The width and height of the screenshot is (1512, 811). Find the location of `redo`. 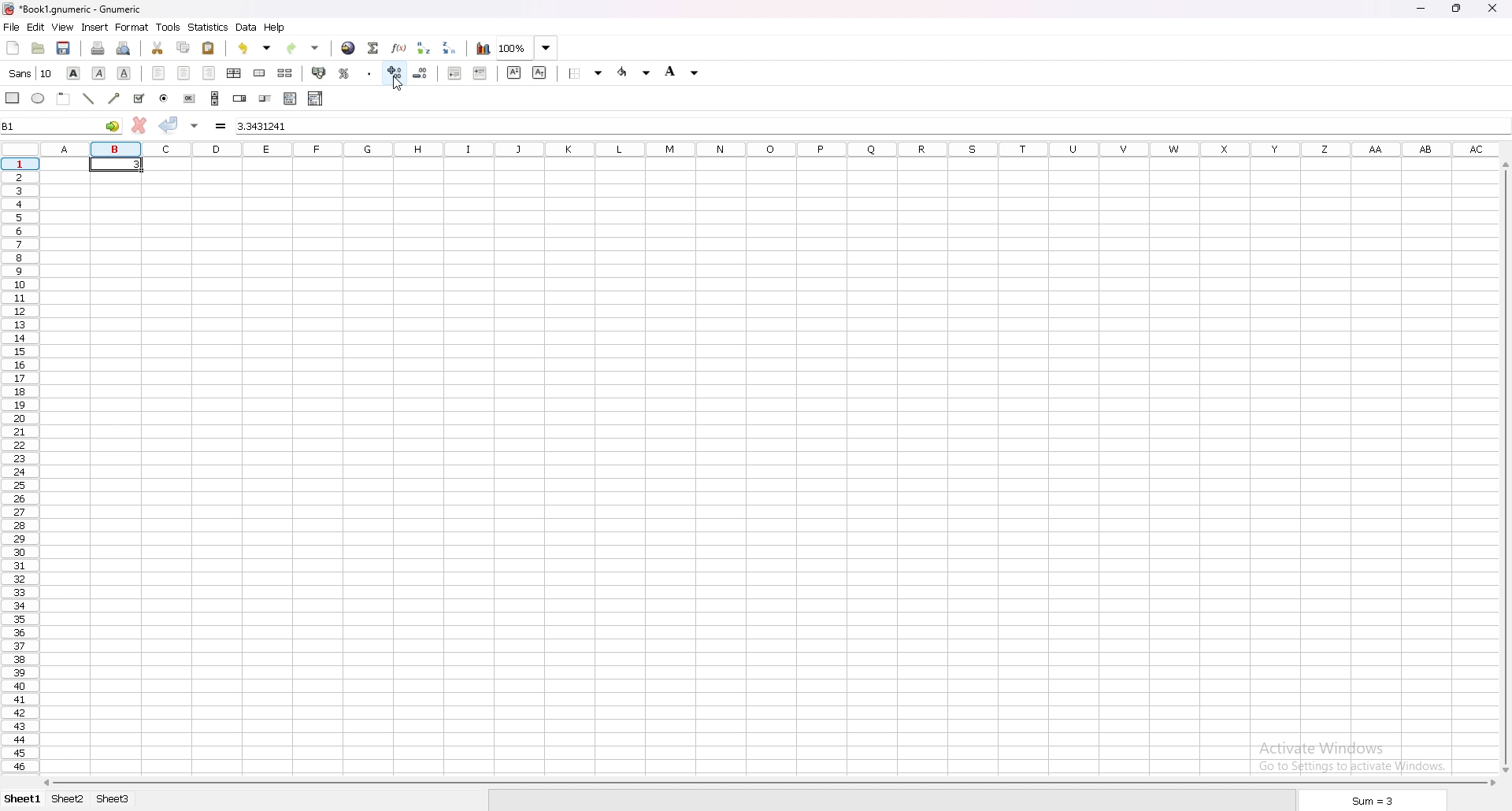

redo is located at coordinates (303, 48).